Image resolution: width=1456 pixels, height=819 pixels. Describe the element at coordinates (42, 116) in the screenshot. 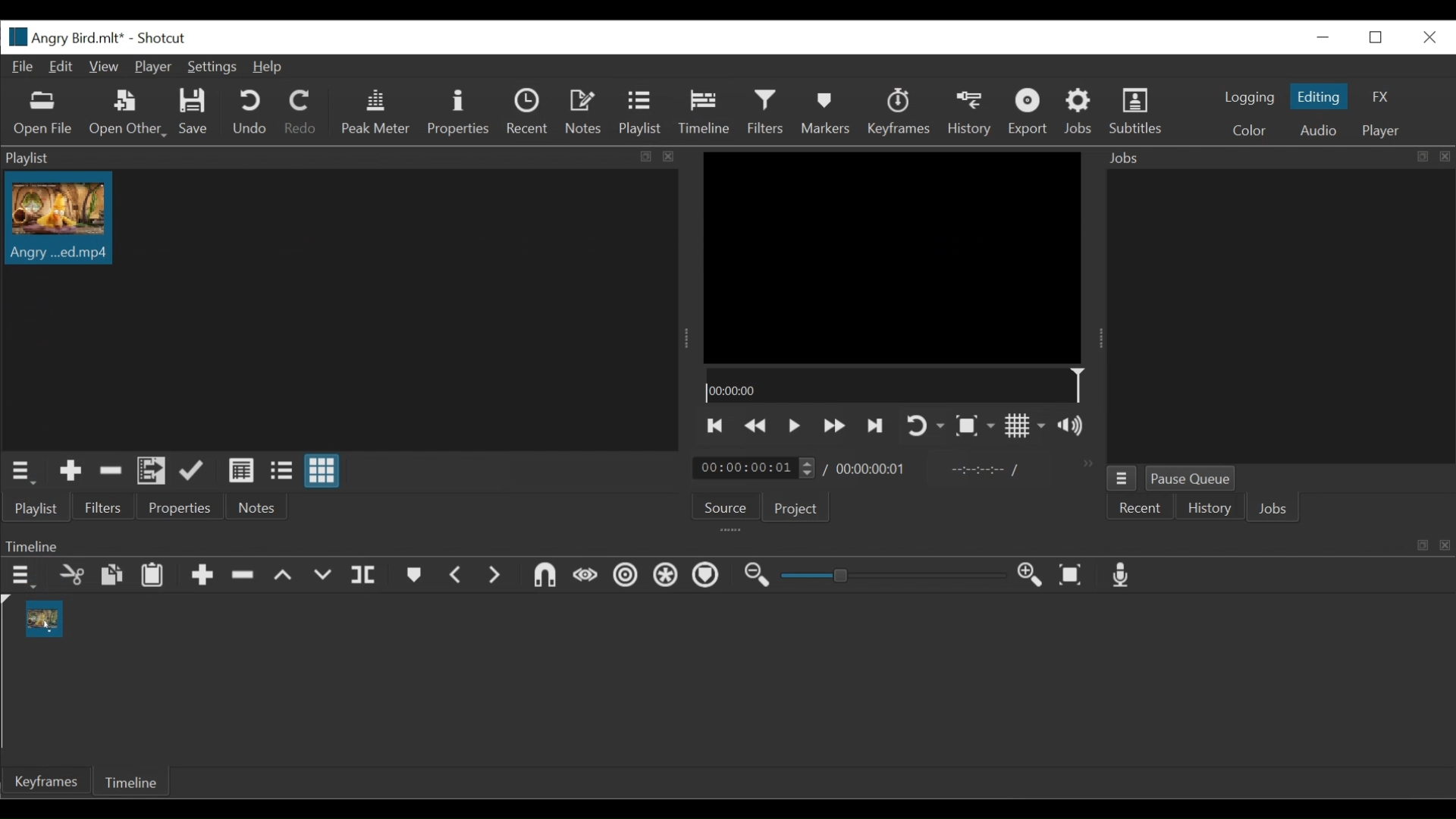

I see `Open File` at that location.